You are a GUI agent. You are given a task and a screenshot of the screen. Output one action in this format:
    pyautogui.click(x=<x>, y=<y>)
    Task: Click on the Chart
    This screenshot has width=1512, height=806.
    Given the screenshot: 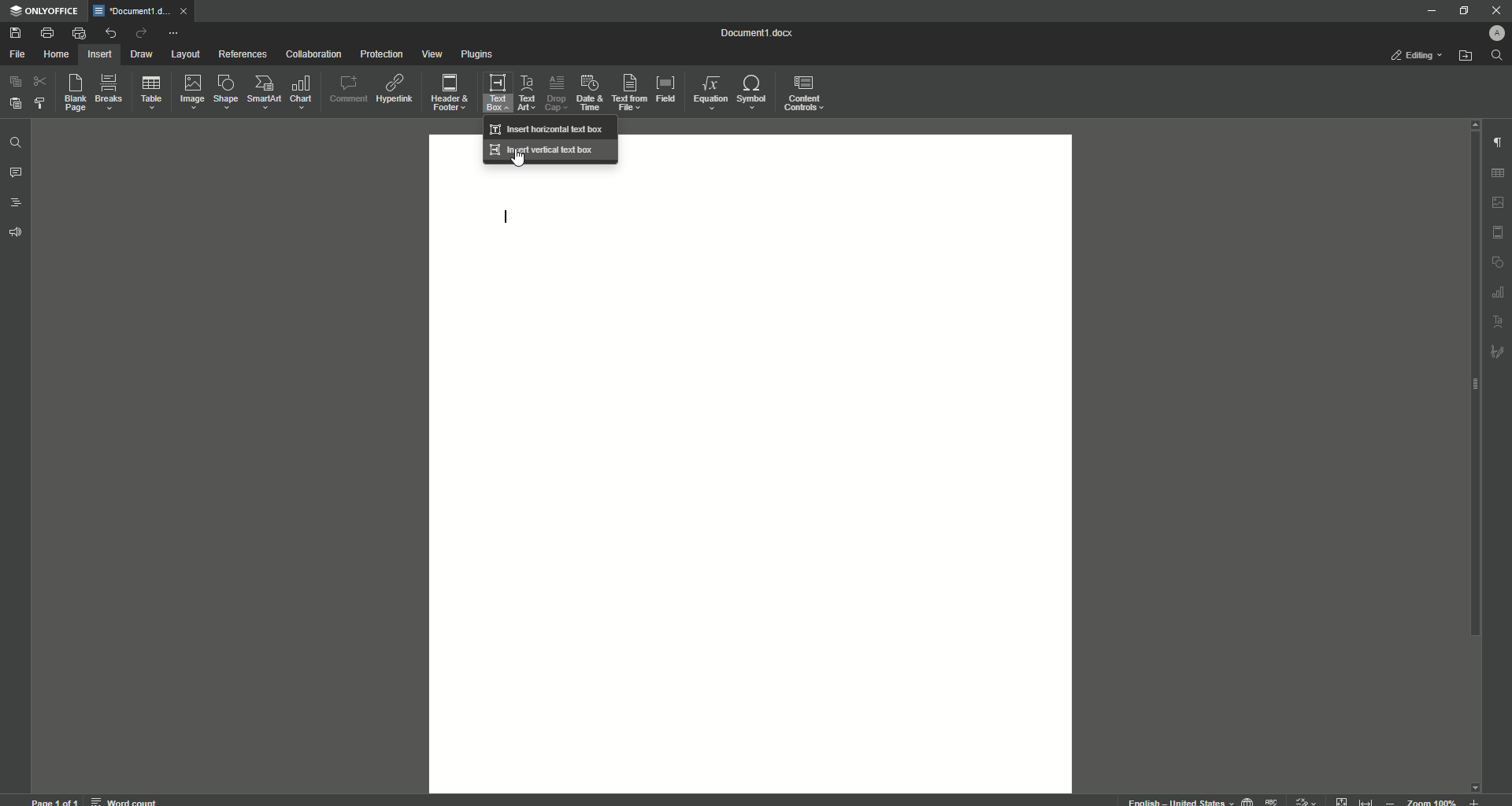 What is the action you would take?
    pyautogui.click(x=302, y=92)
    